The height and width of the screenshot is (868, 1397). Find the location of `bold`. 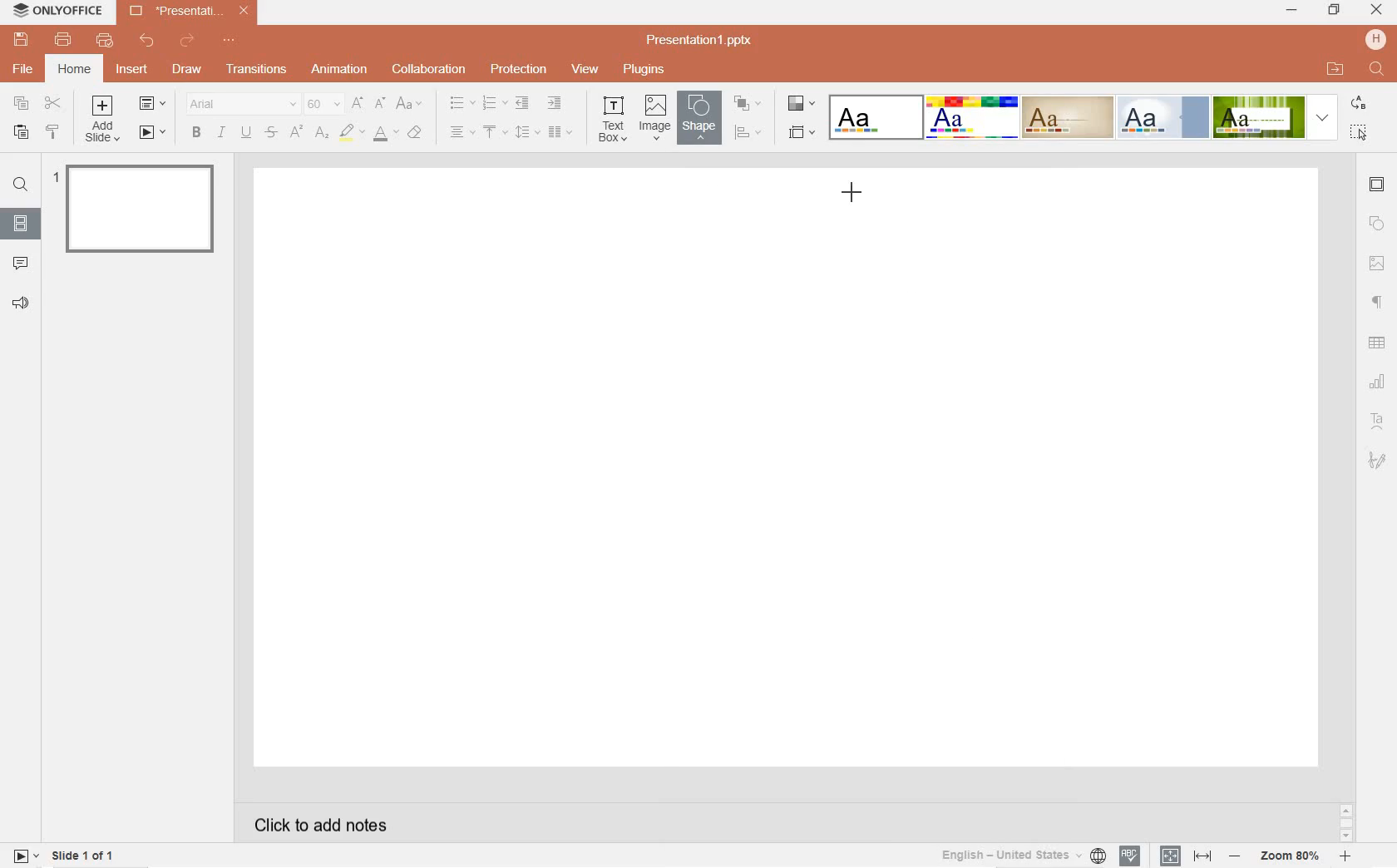

bold is located at coordinates (195, 132).